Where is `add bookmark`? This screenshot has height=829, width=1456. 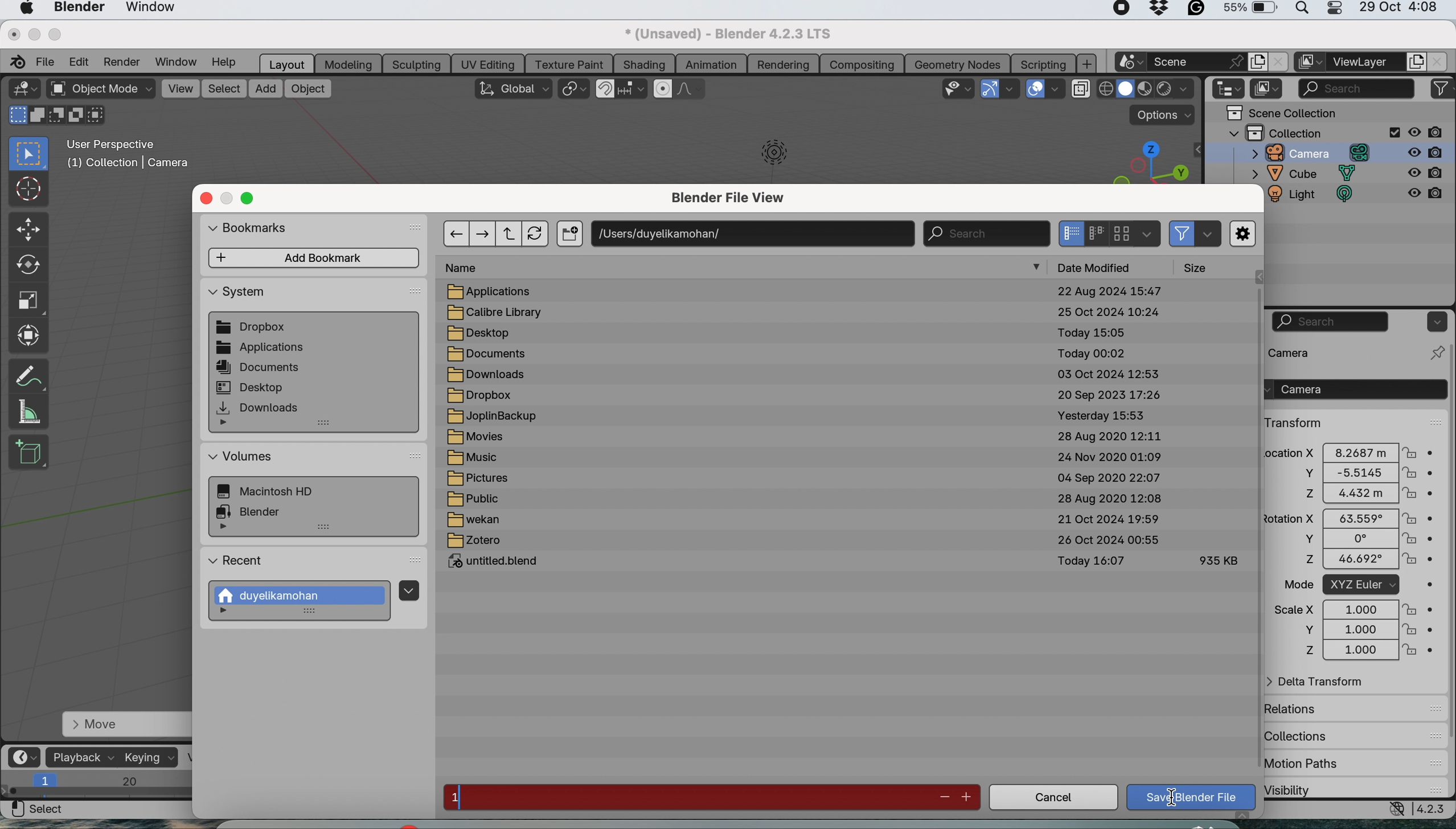 add bookmark is located at coordinates (315, 258).